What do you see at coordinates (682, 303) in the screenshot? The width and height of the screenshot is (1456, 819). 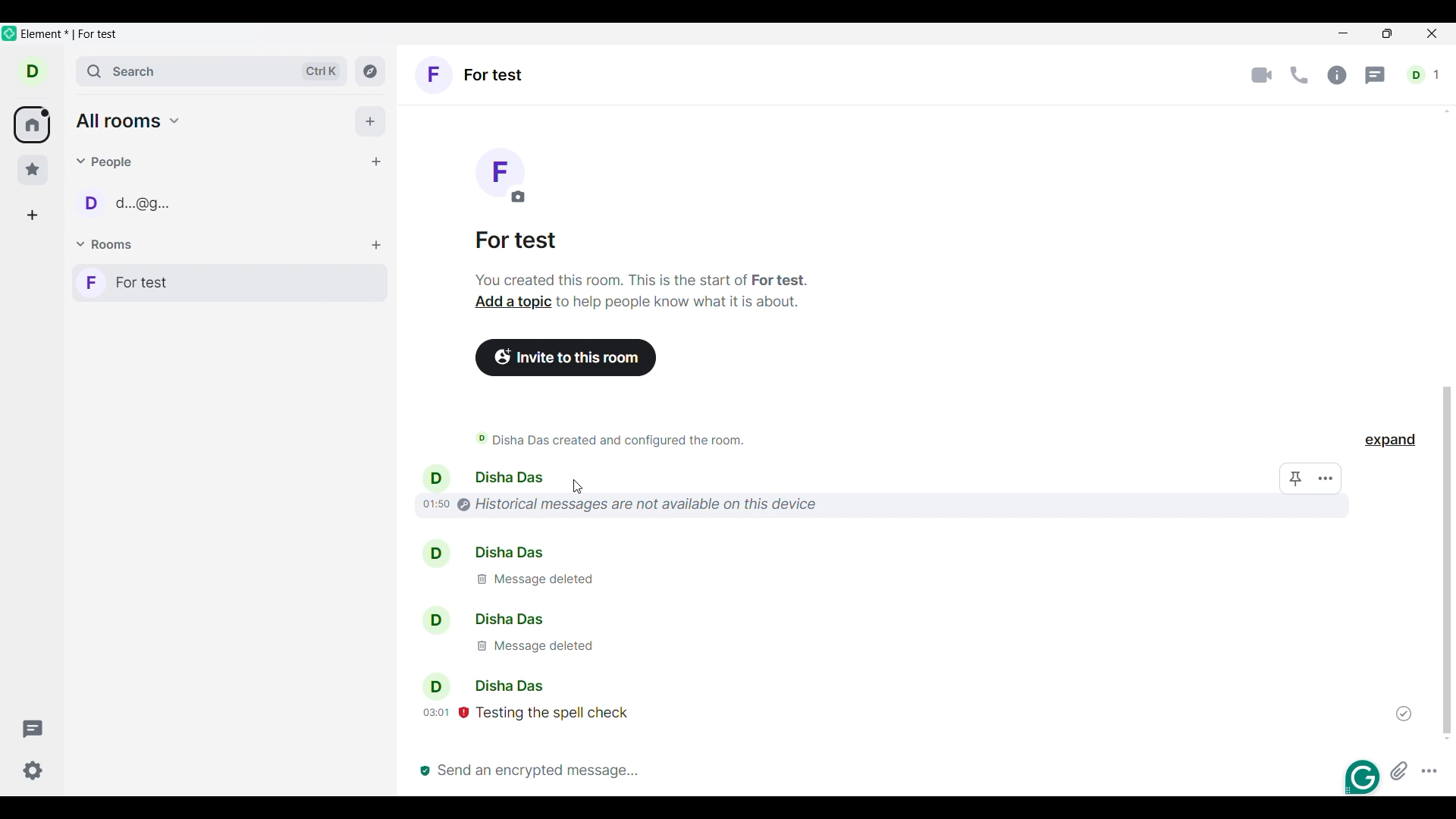 I see `to help people know what it is about` at bounding box center [682, 303].